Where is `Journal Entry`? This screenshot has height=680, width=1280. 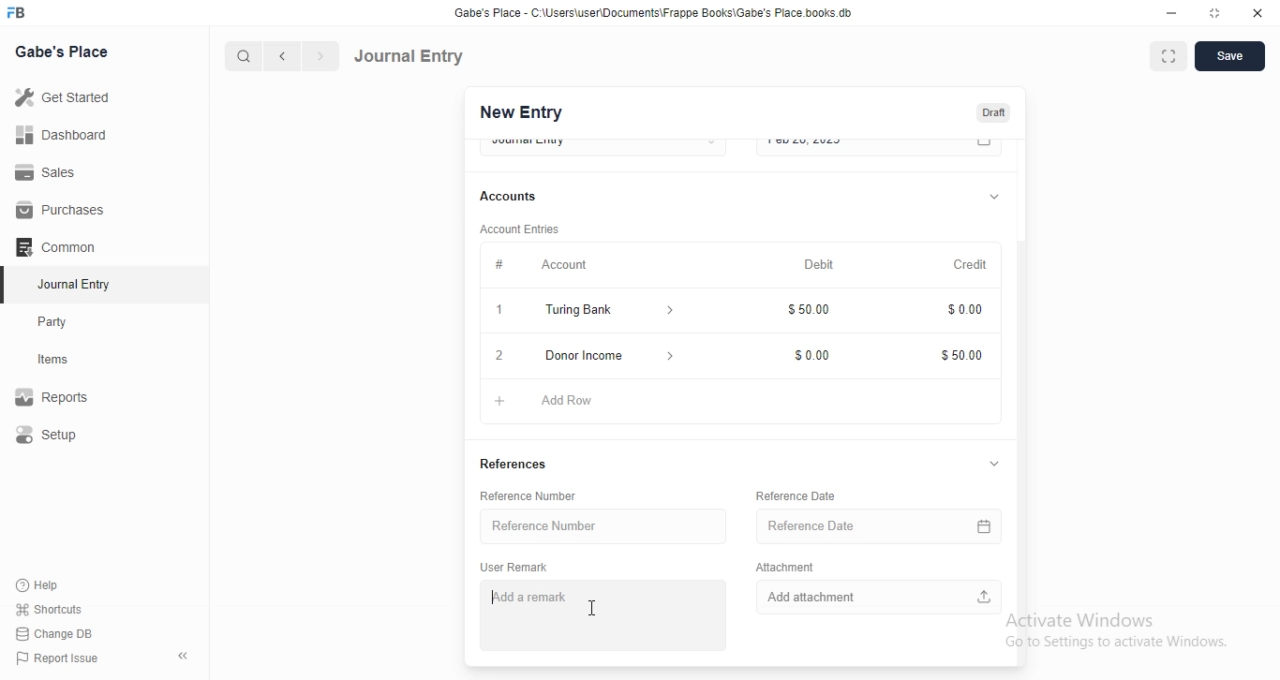
Journal Entry is located at coordinates (65, 286).